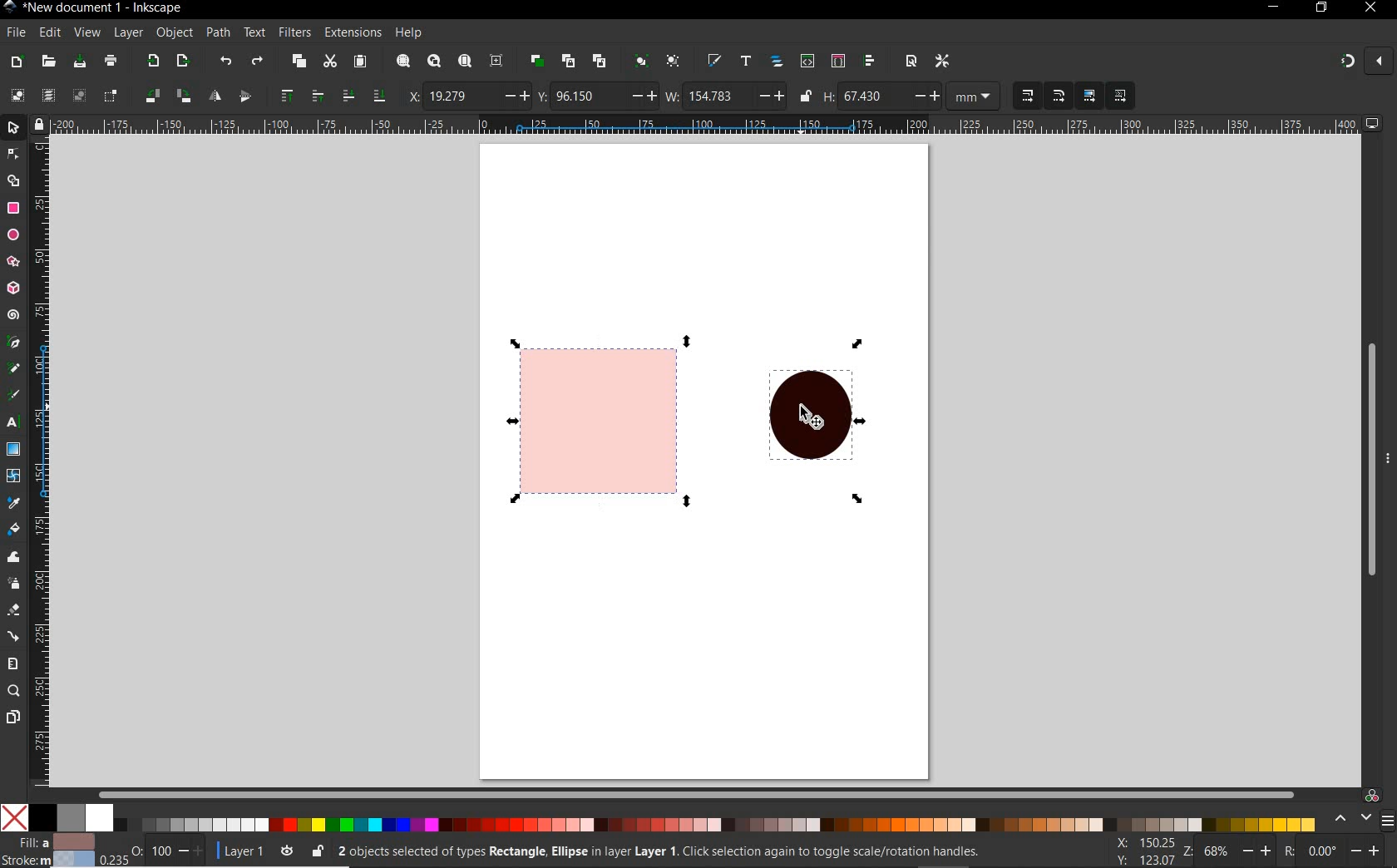 This screenshot has height=868, width=1397. Describe the element at coordinates (1059, 96) in the screenshot. I see `when scaling rectangles` at that location.